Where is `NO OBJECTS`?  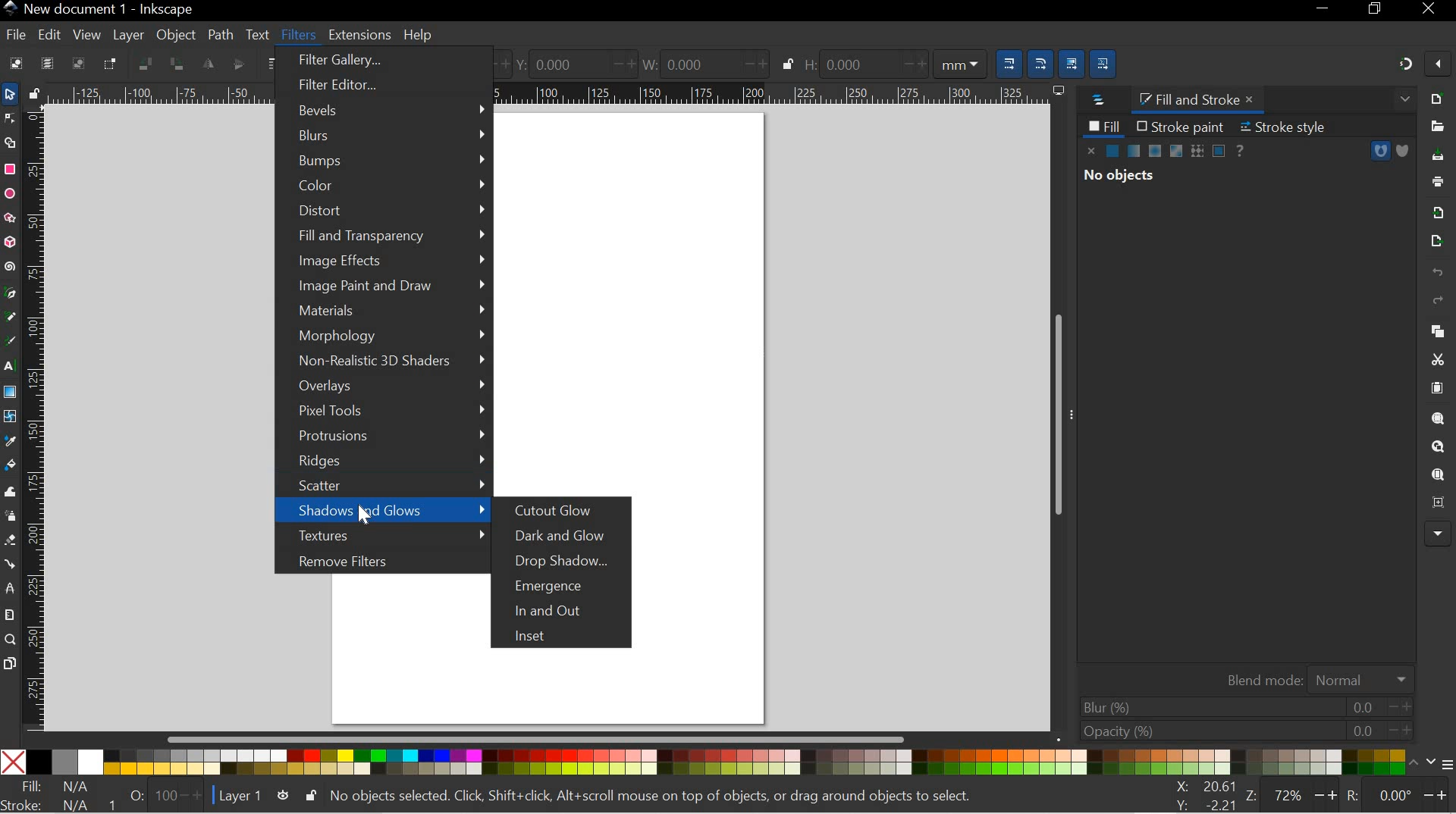 NO OBJECTS is located at coordinates (1119, 177).